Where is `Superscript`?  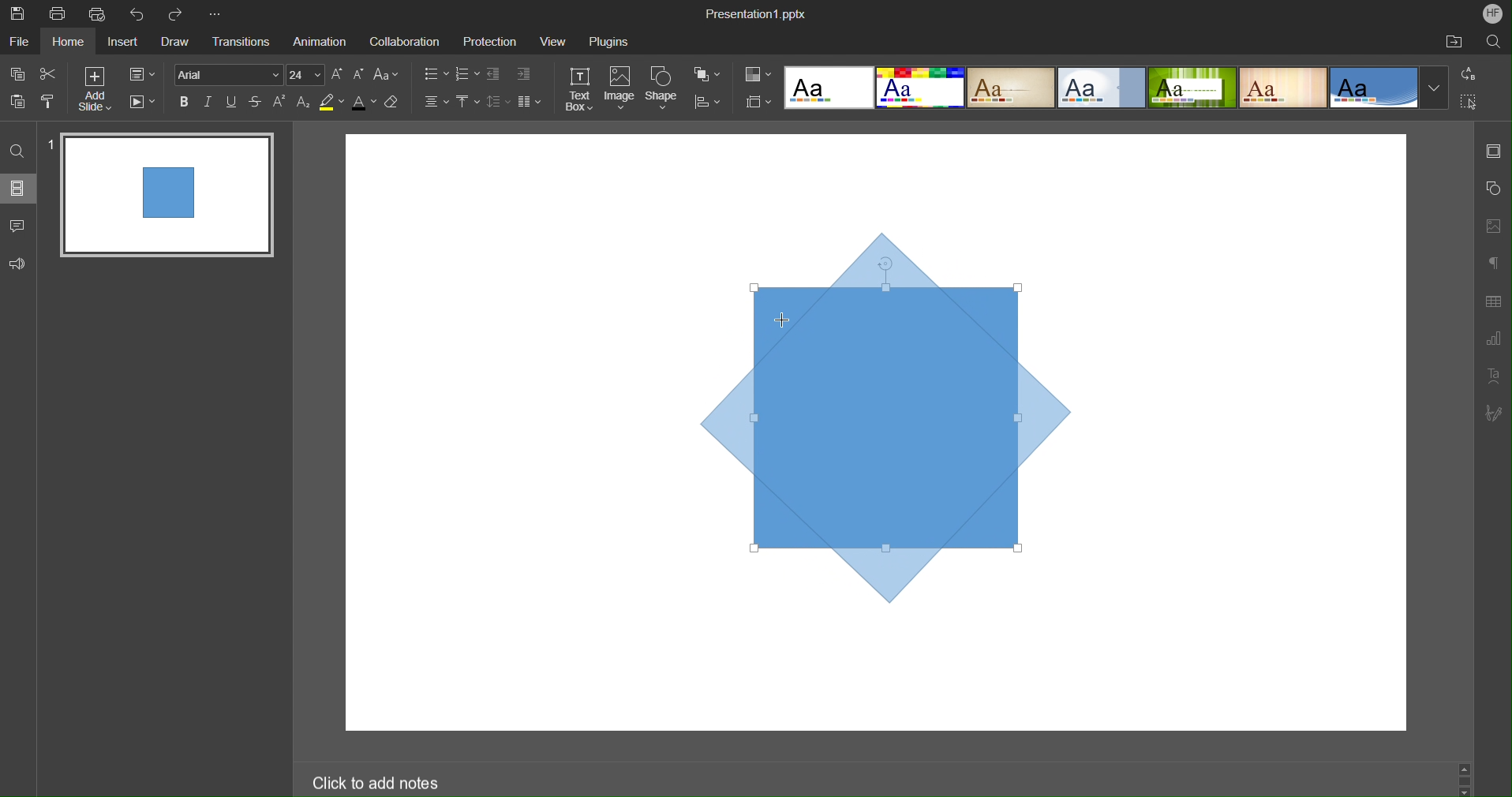 Superscript is located at coordinates (279, 103).